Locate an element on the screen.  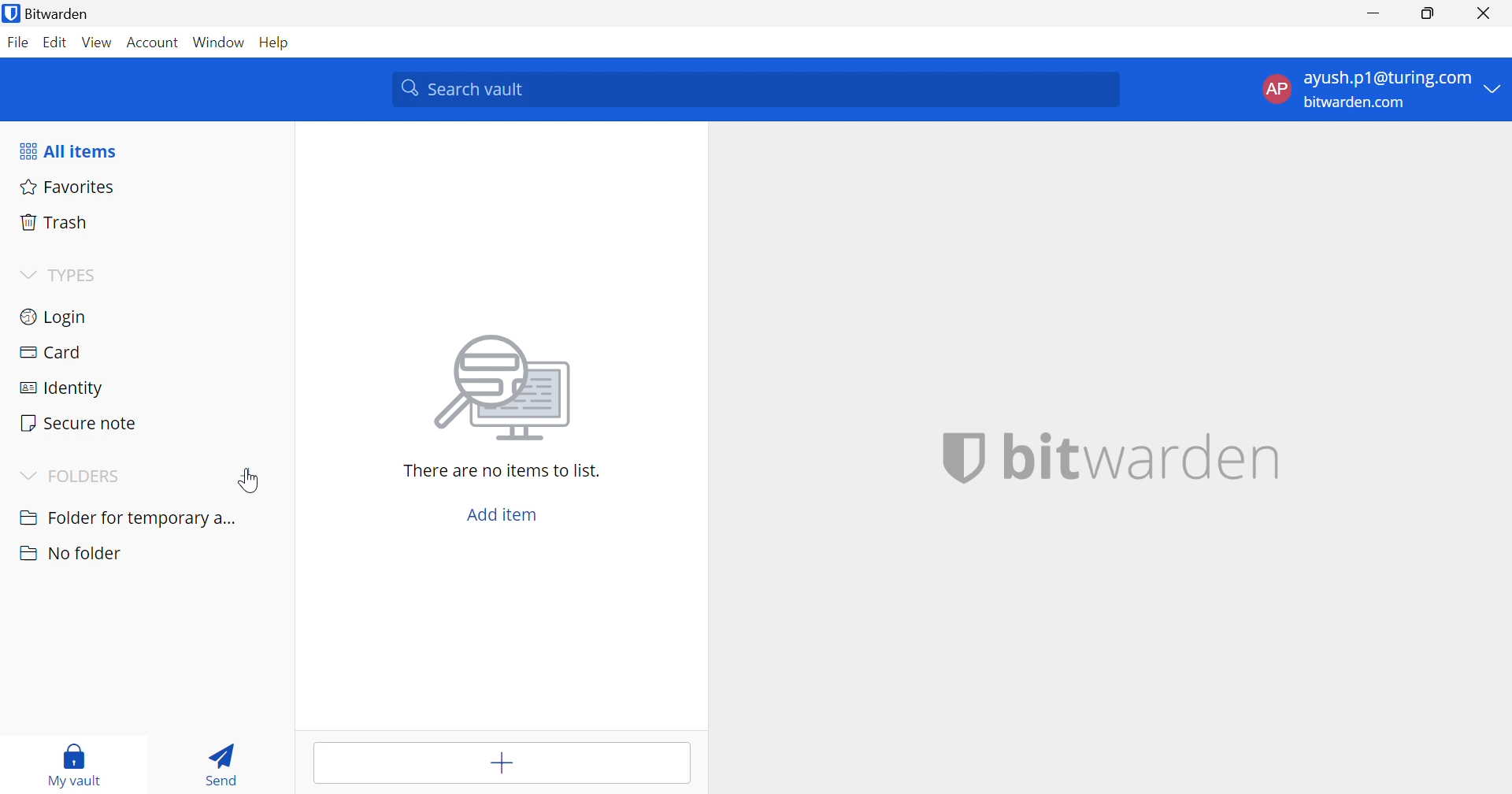
Window is located at coordinates (217, 42).